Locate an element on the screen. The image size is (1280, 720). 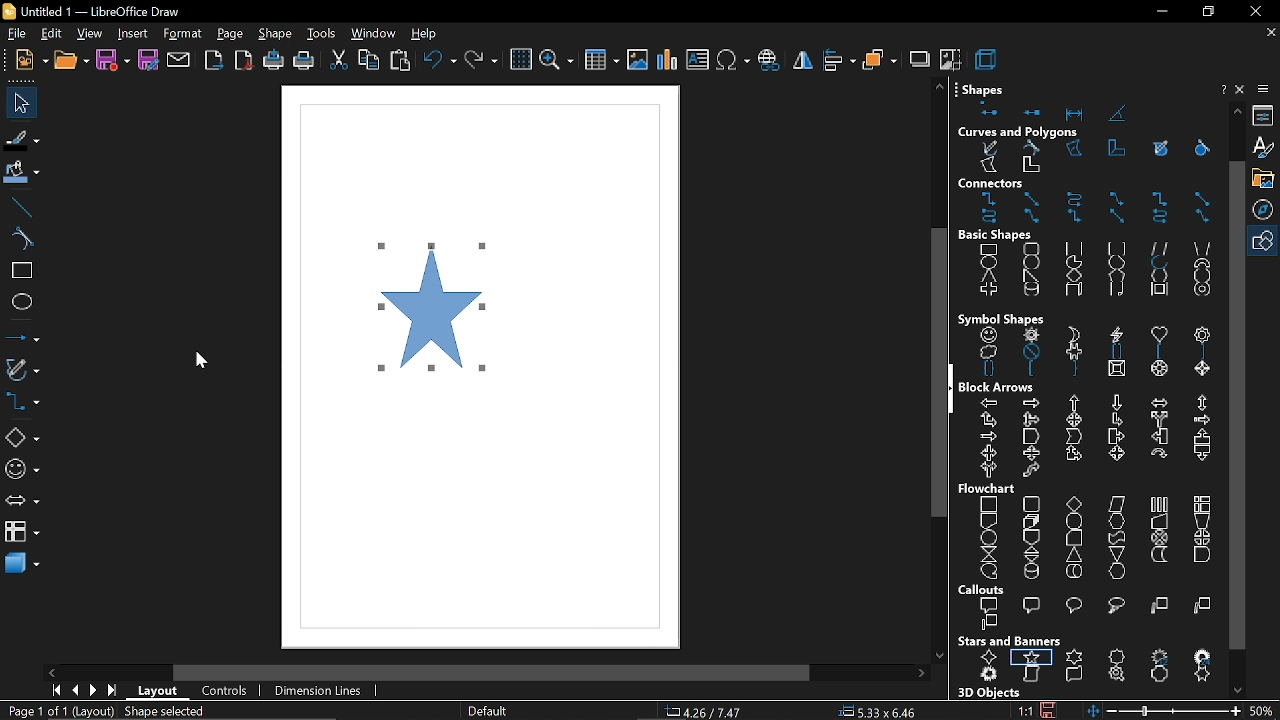
new is located at coordinates (29, 59).